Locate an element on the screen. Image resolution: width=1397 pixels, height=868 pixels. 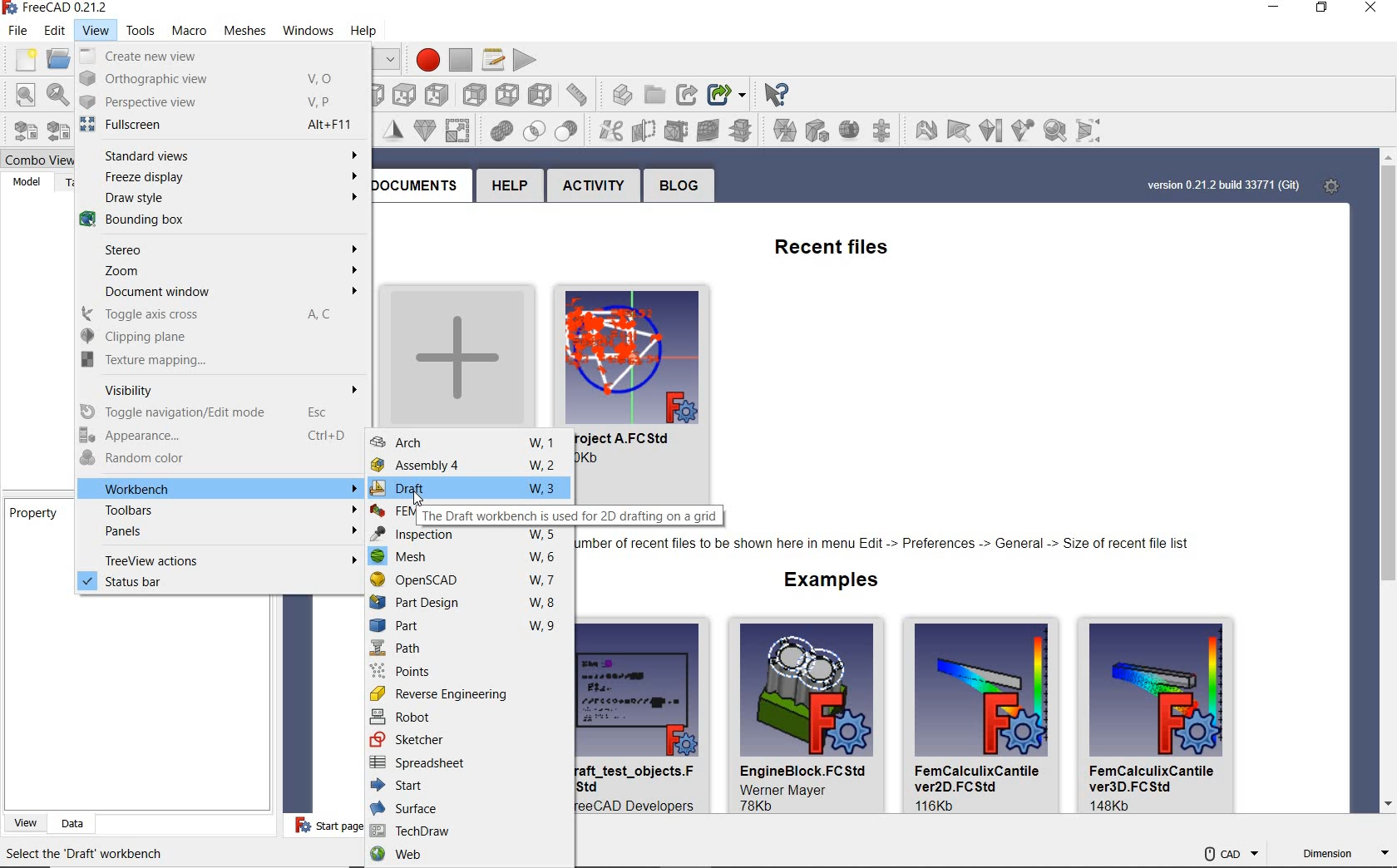
right is located at coordinates (403, 91).